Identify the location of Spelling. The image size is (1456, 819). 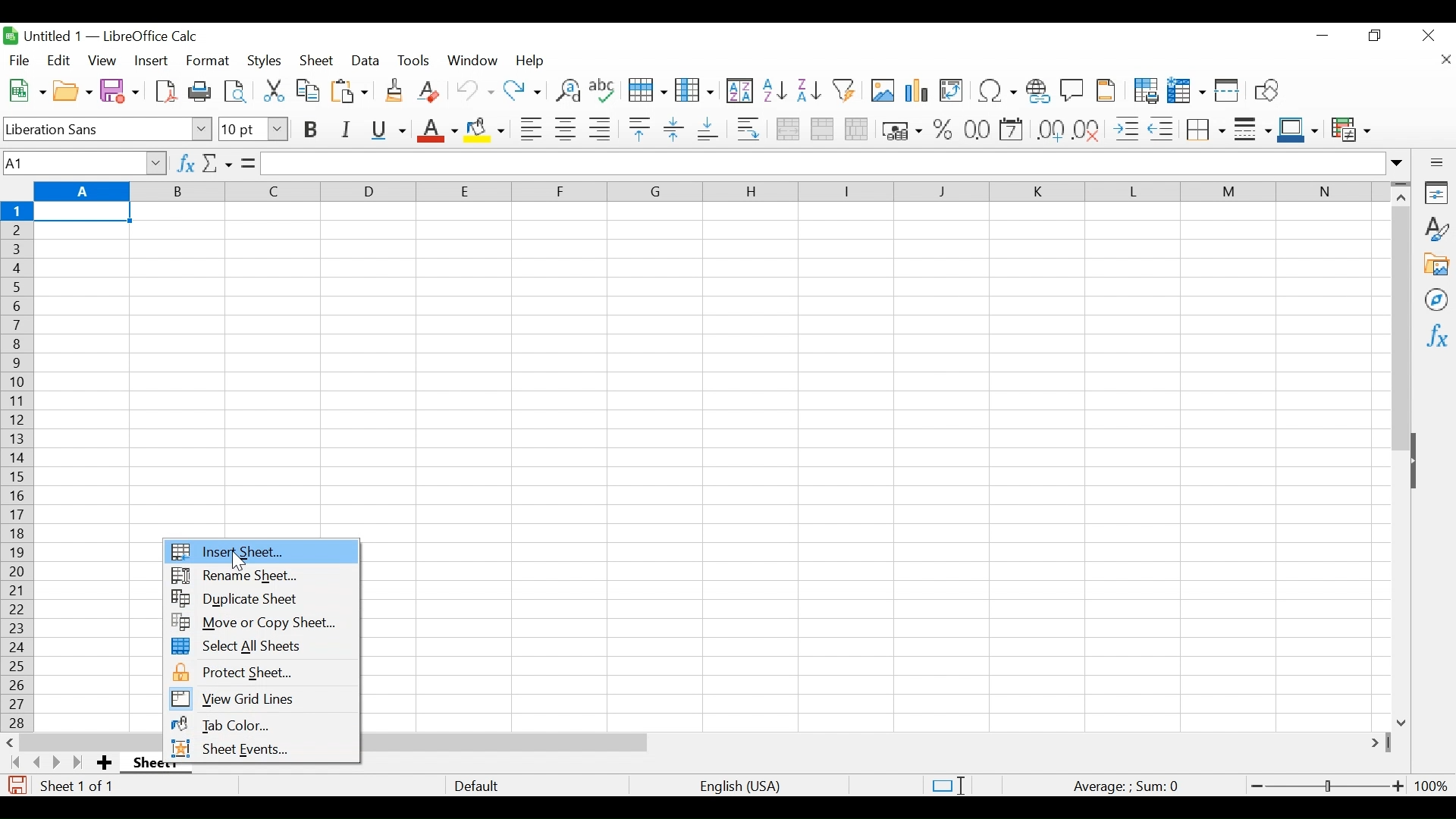
(601, 91).